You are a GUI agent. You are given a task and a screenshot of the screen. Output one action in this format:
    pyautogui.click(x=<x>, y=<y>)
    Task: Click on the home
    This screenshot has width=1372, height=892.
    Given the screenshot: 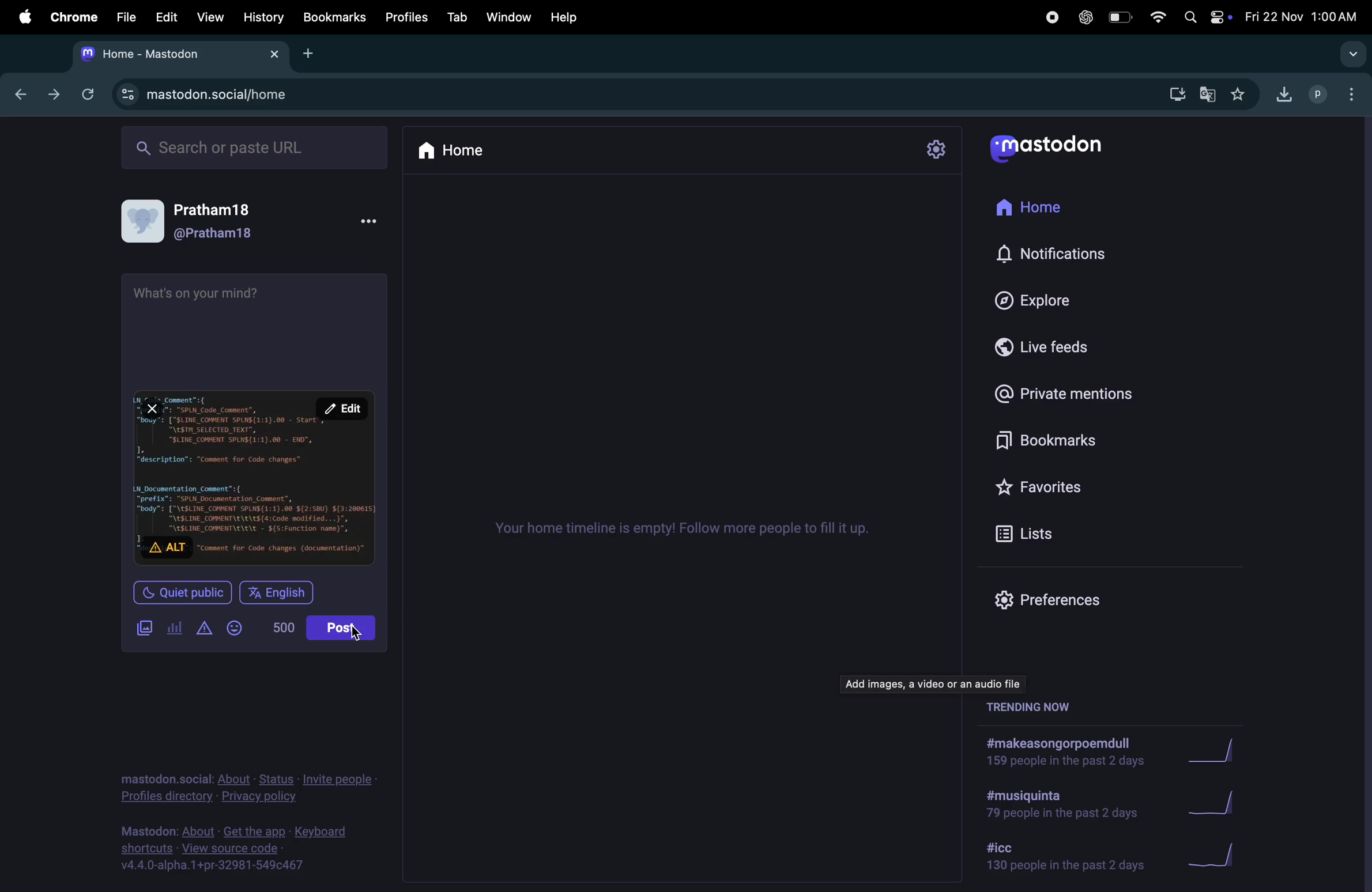 What is the action you would take?
    pyautogui.click(x=459, y=151)
    